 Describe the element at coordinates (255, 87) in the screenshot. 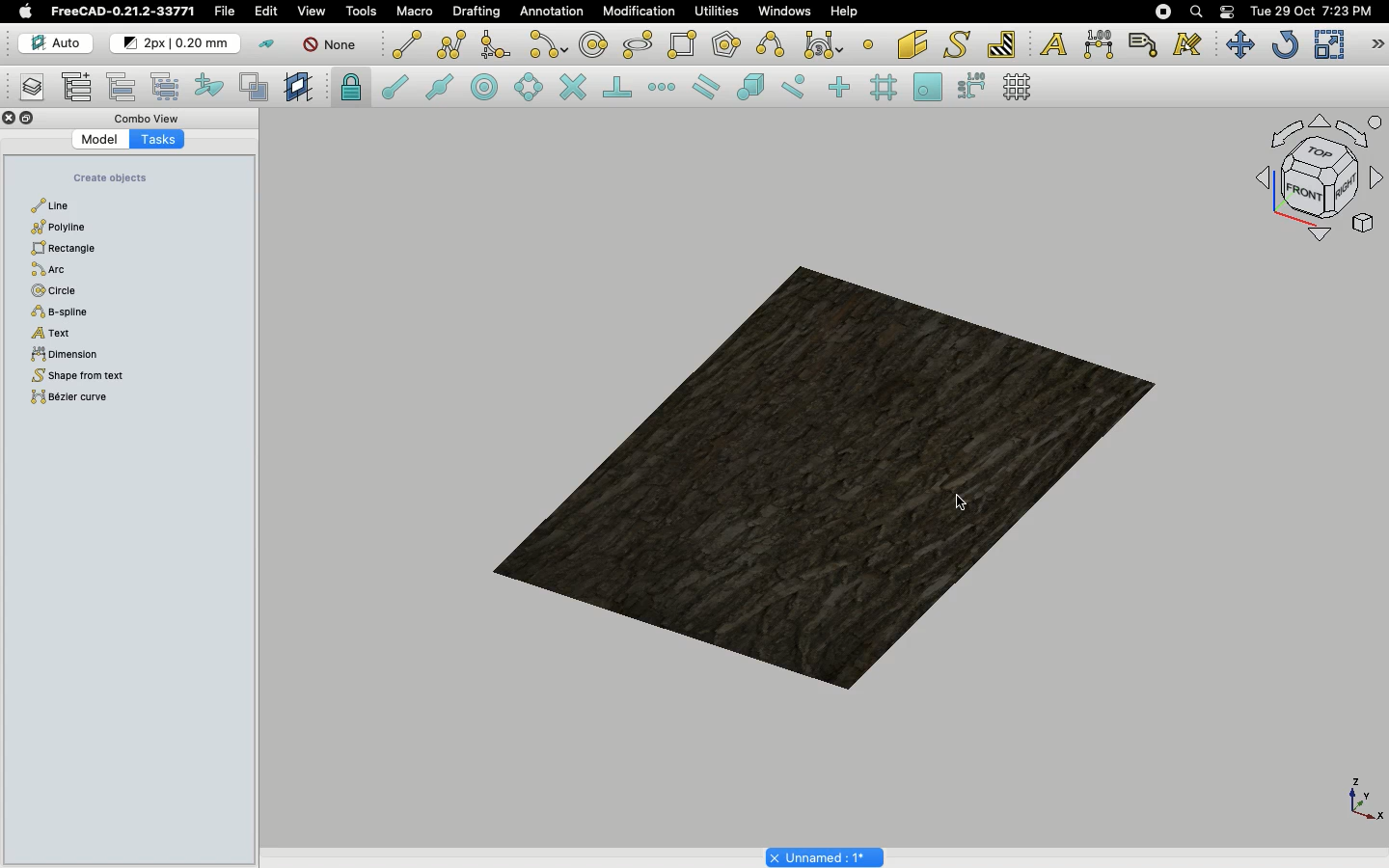

I see `Toggle normal/wireframe display` at that location.